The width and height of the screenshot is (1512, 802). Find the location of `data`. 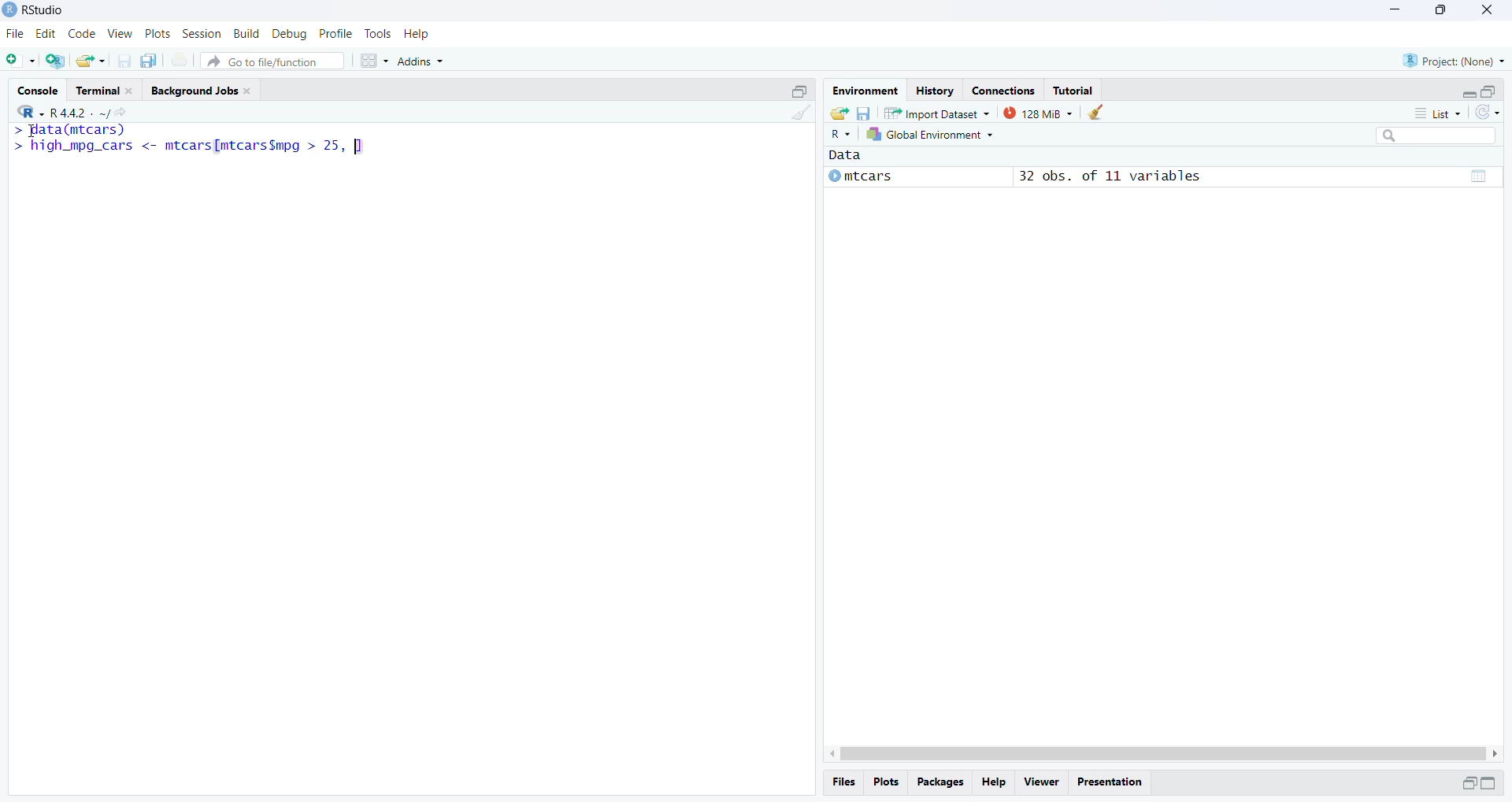

data is located at coordinates (855, 154).